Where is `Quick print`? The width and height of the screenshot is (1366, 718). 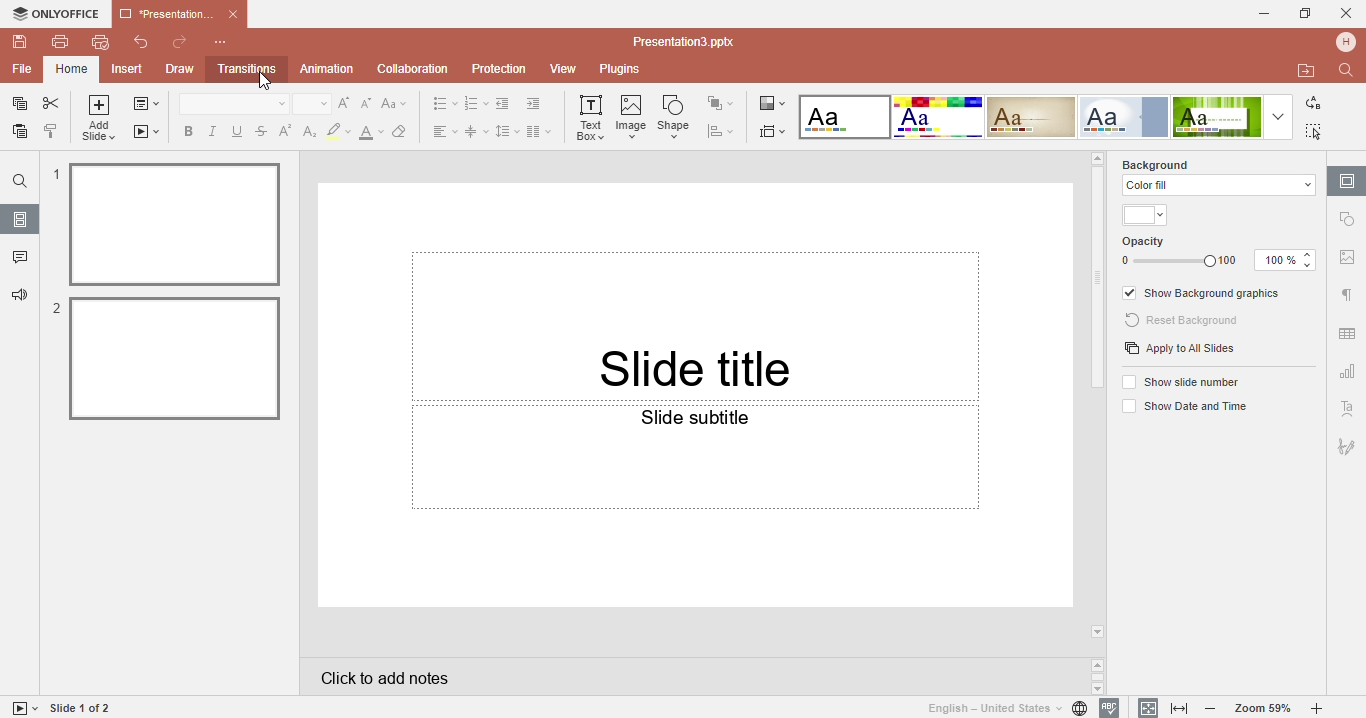 Quick print is located at coordinates (99, 45).